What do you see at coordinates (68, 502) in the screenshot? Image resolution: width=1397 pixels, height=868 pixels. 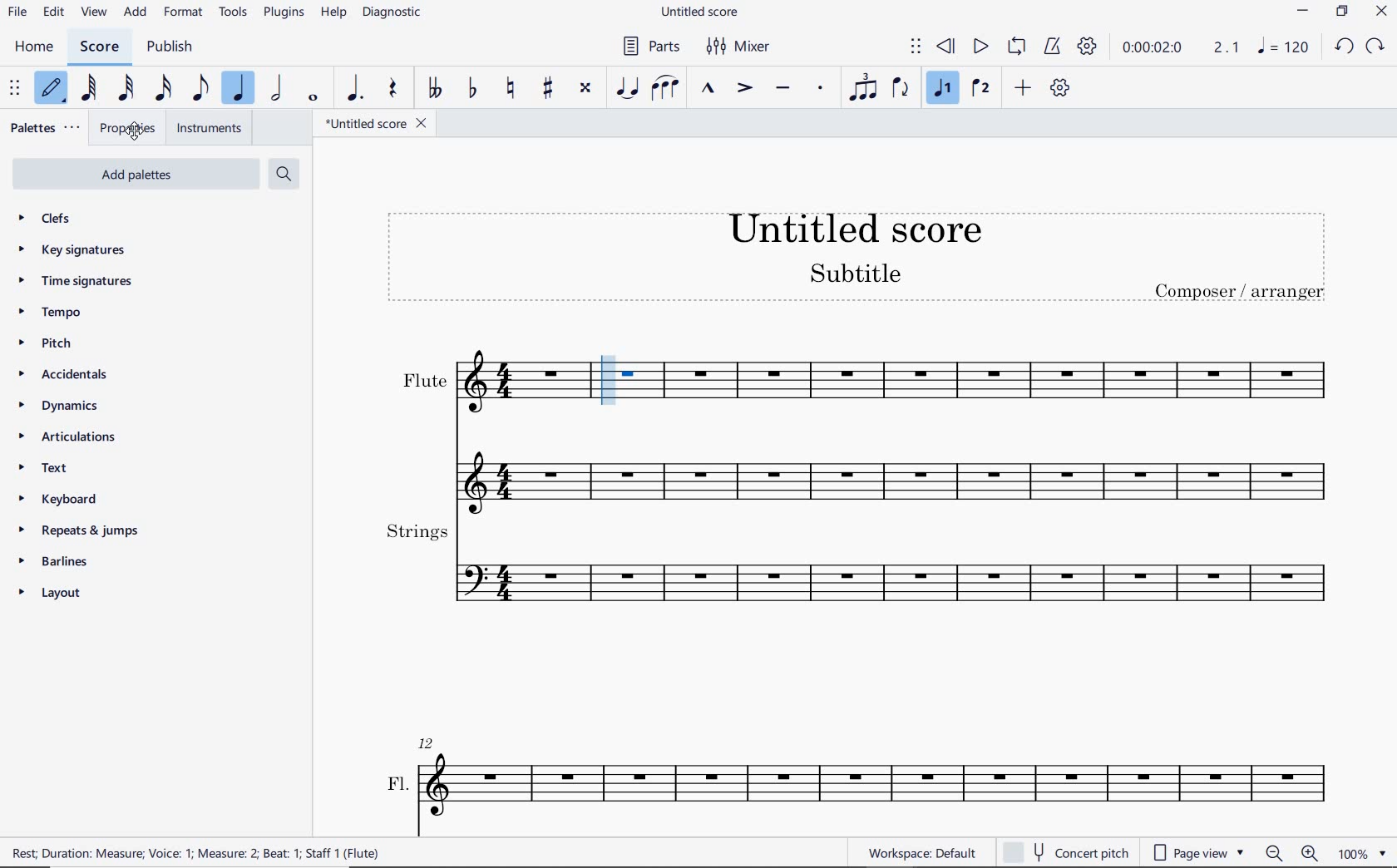 I see `keyboard` at bounding box center [68, 502].